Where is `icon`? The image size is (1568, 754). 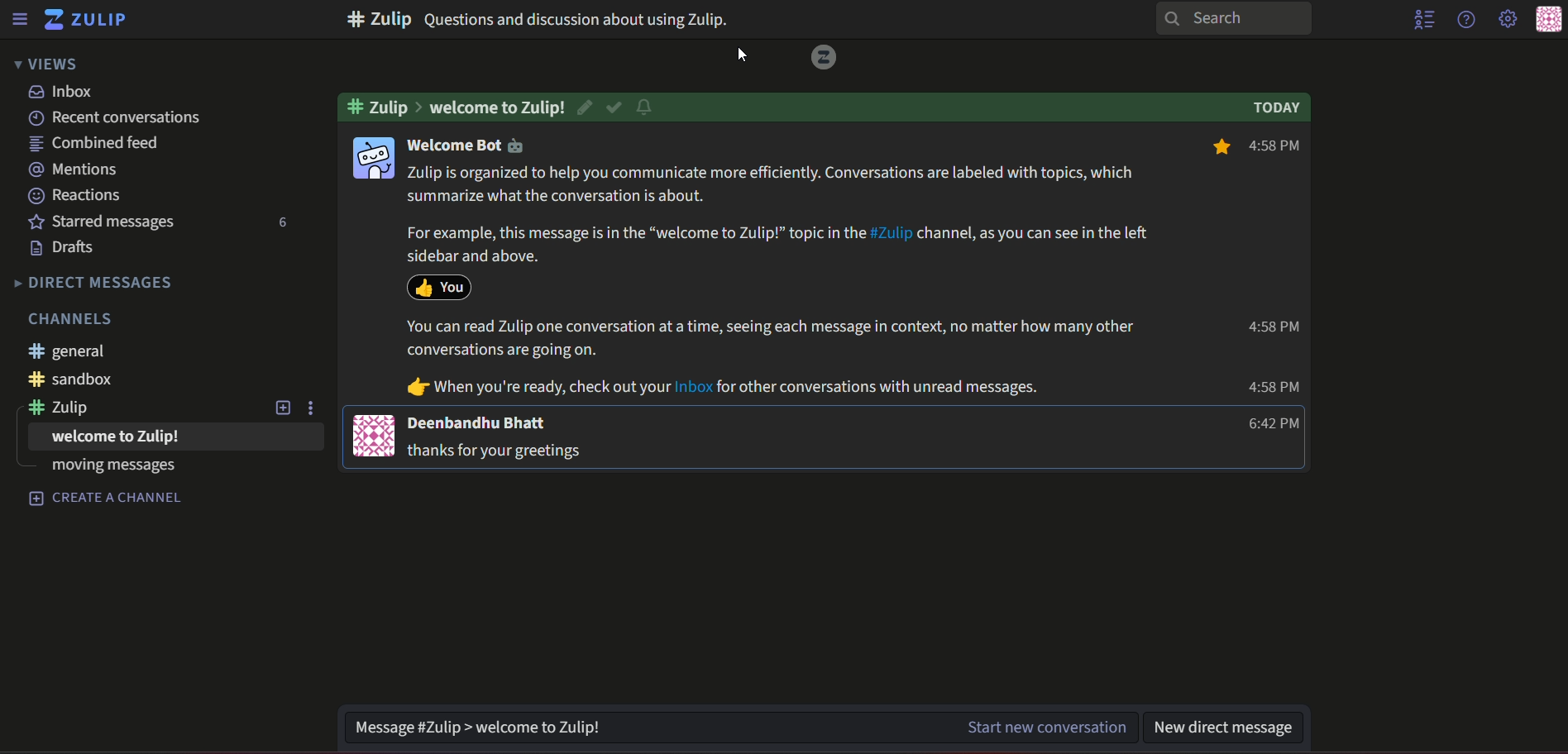 icon is located at coordinates (375, 158).